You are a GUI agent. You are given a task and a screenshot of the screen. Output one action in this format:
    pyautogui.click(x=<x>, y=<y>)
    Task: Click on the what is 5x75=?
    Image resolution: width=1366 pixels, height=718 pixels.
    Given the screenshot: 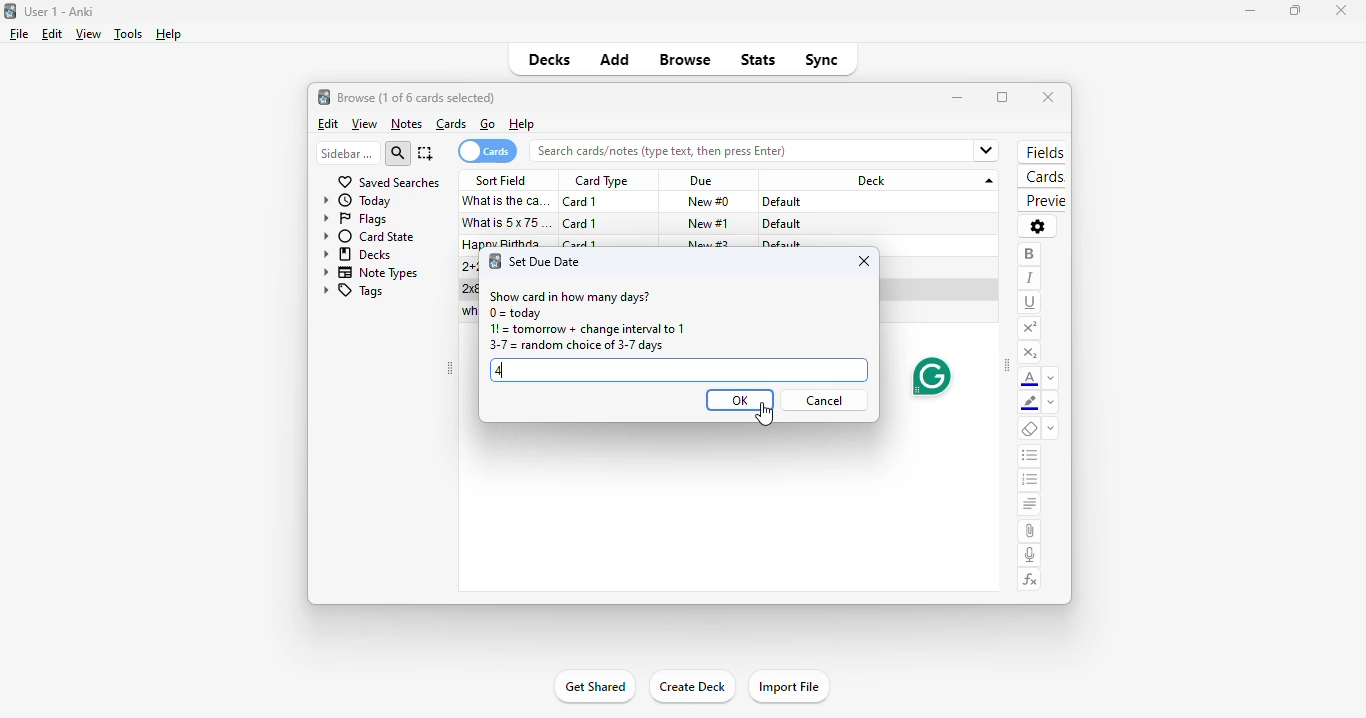 What is the action you would take?
    pyautogui.click(x=509, y=222)
    